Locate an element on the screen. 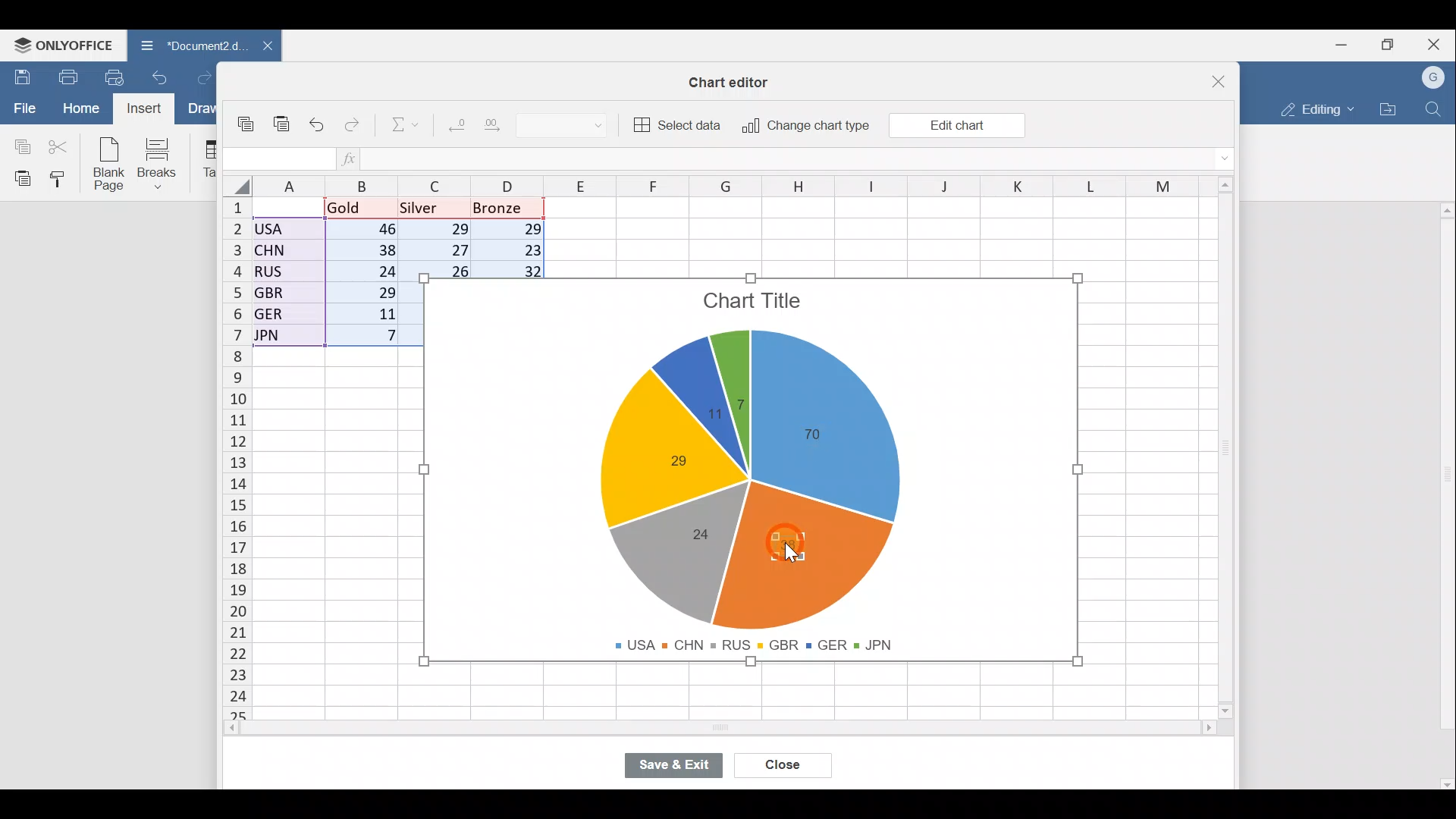 Image resolution: width=1456 pixels, height=819 pixels. Summation is located at coordinates (406, 122).